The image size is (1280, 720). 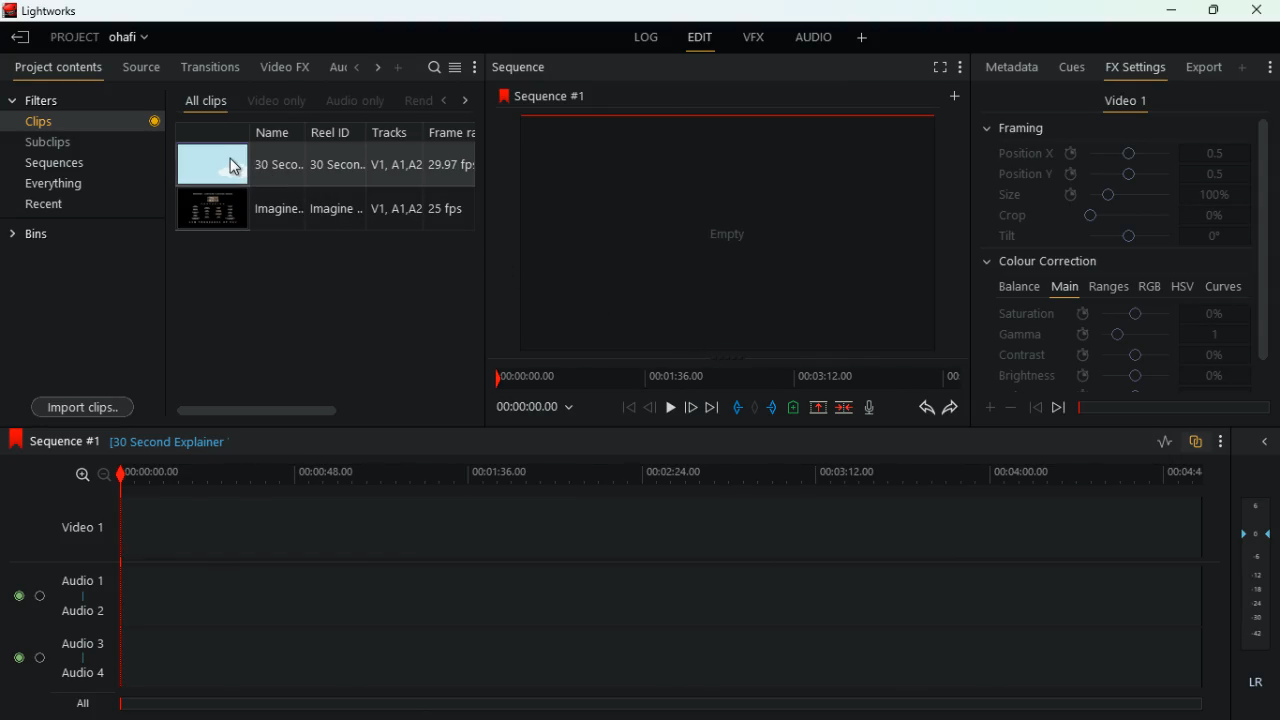 I want to click on rend, so click(x=418, y=99).